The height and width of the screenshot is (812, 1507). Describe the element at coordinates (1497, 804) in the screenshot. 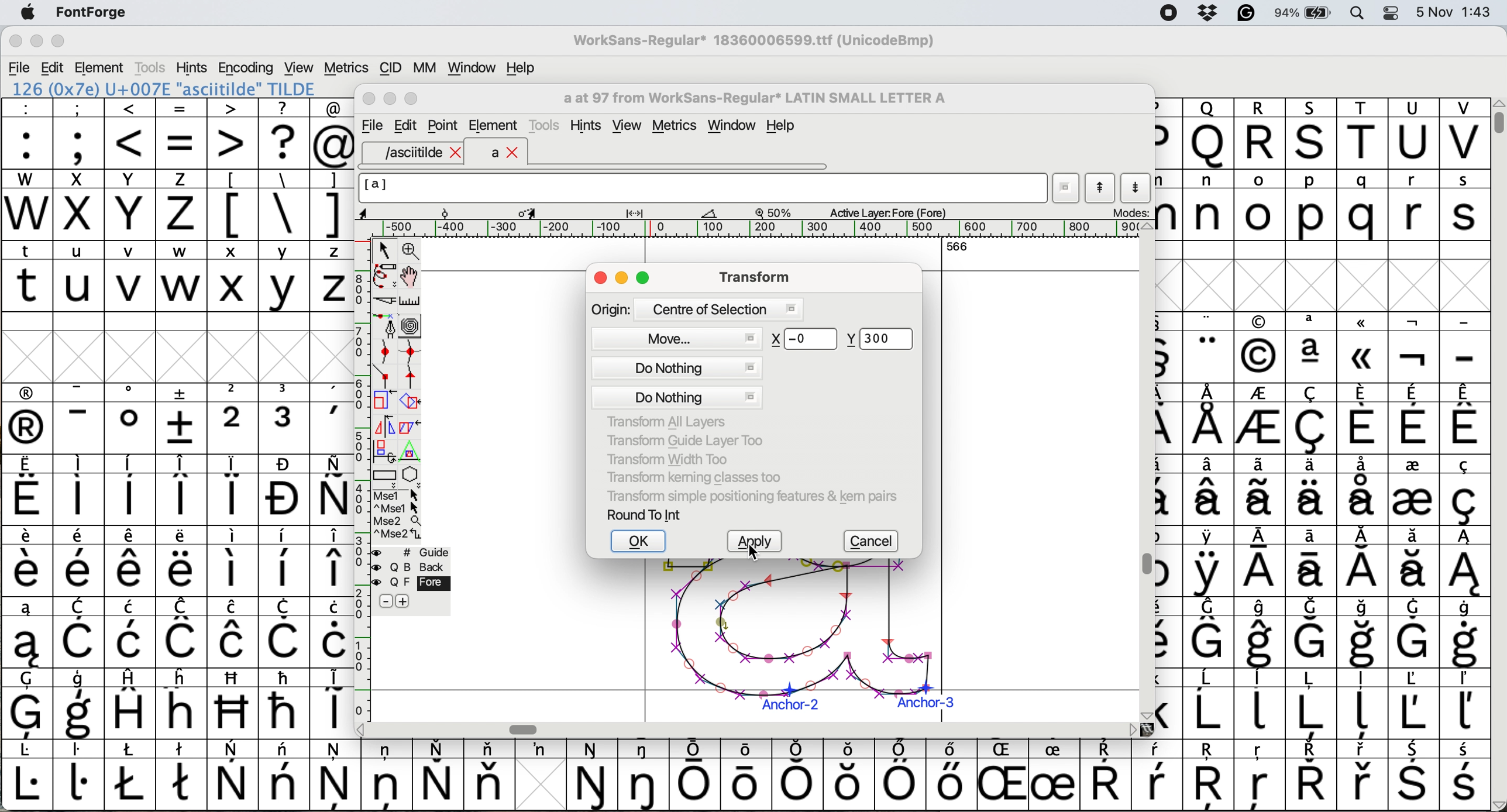

I see `scroll button` at that location.